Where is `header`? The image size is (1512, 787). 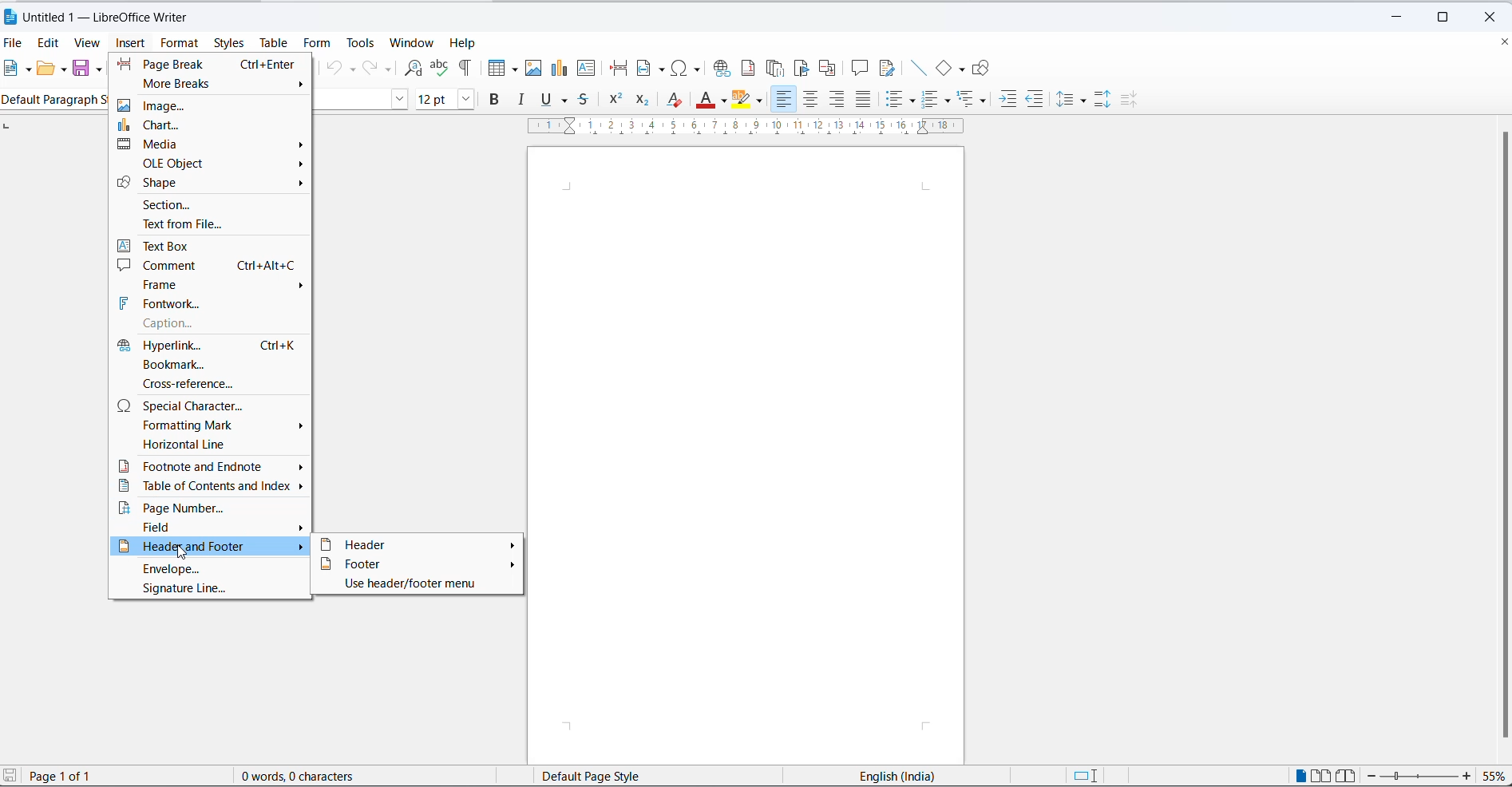 header is located at coordinates (414, 544).